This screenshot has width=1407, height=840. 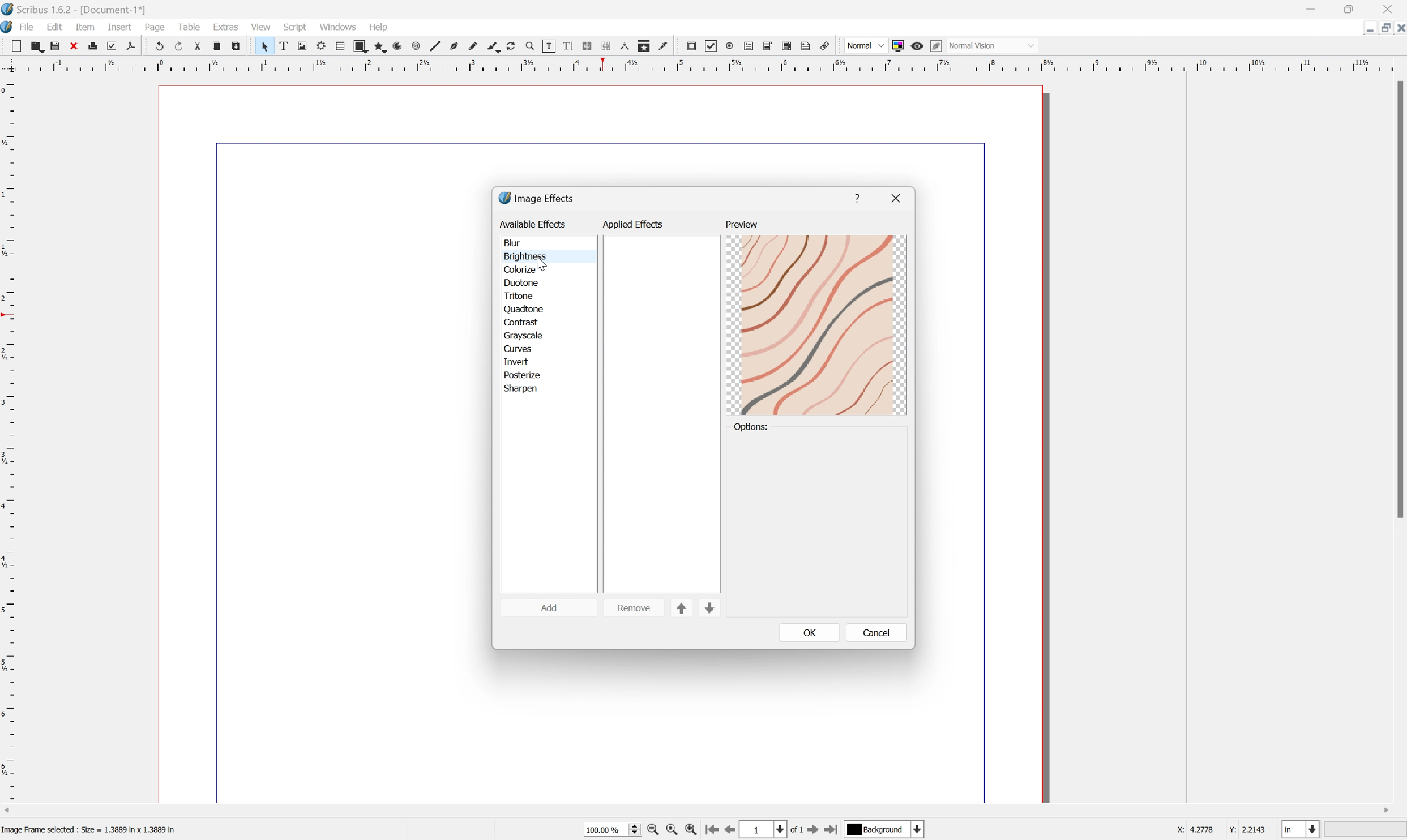 I want to click on Help, so click(x=378, y=27).